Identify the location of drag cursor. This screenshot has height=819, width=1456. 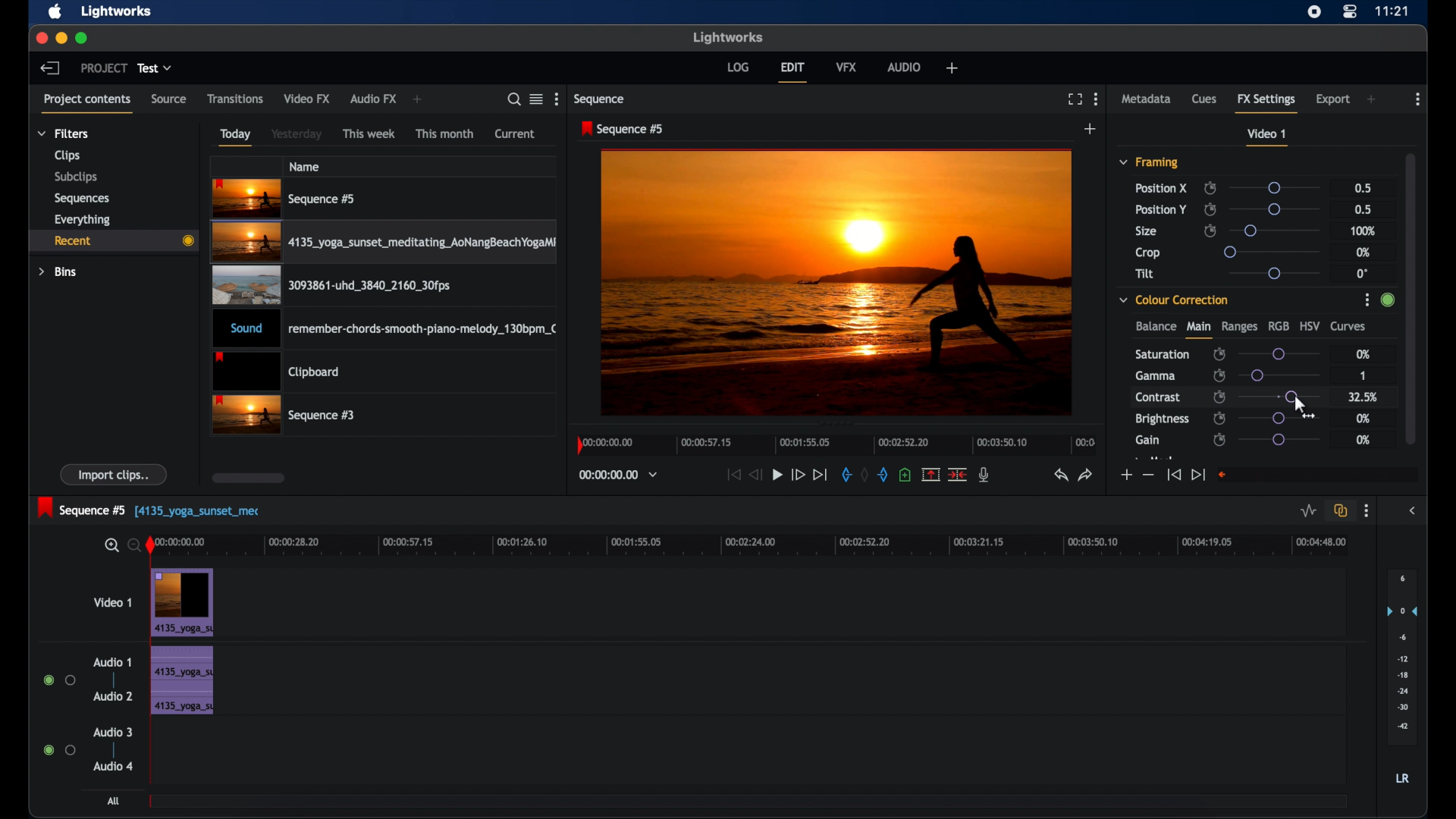
(1304, 409).